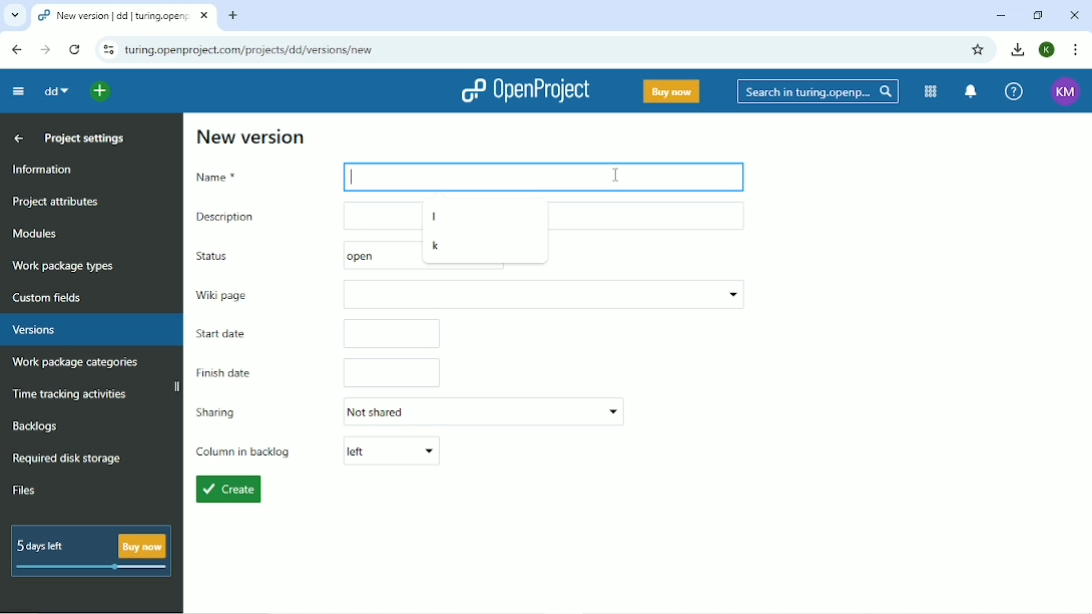 The height and width of the screenshot is (614, 1092). What do you see at coordinates (1016, 49) in the screenshot?
I see `Download` at bounding box center [1016, 49].